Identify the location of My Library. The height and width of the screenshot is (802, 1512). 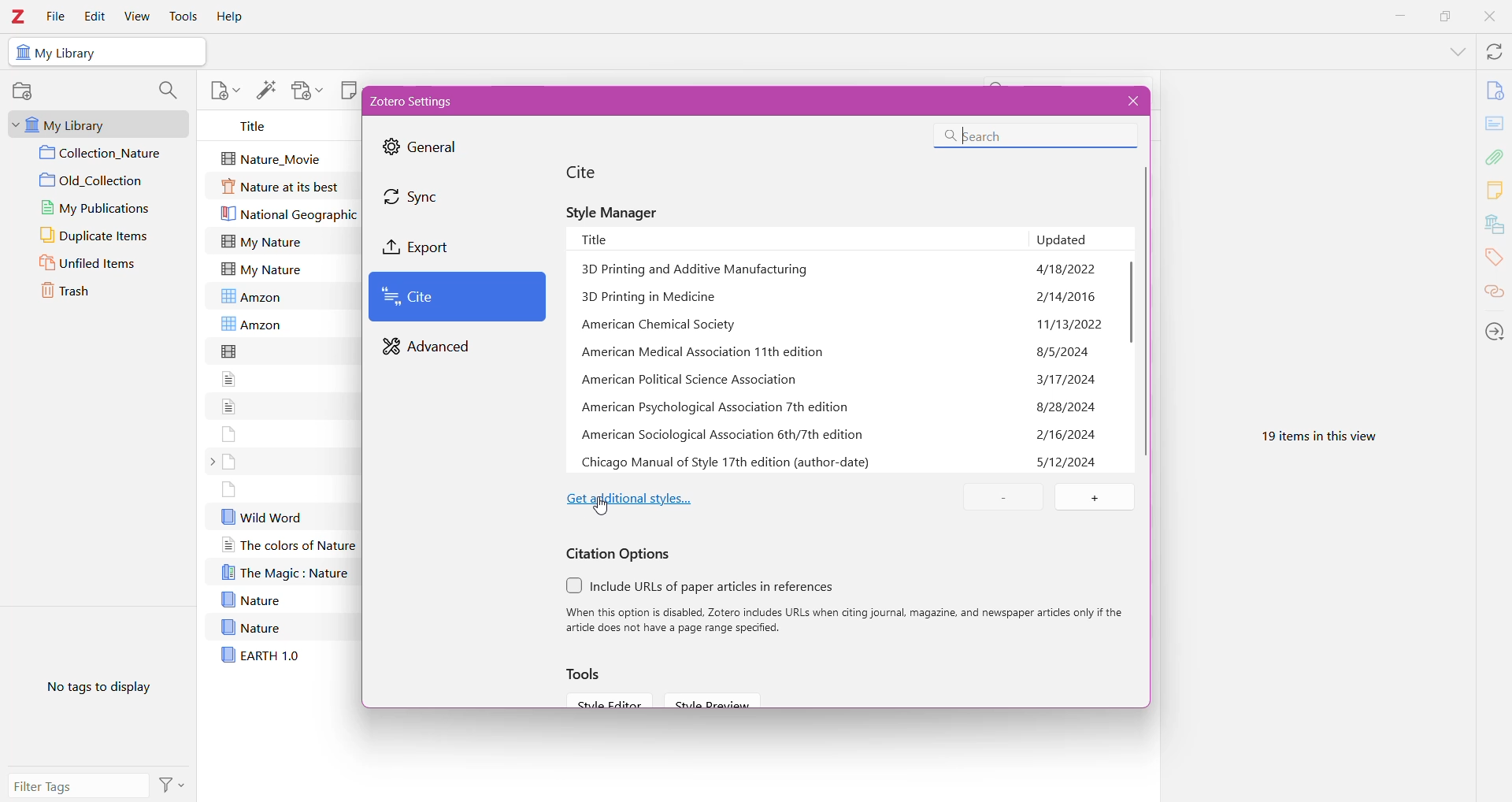
(94, 123).